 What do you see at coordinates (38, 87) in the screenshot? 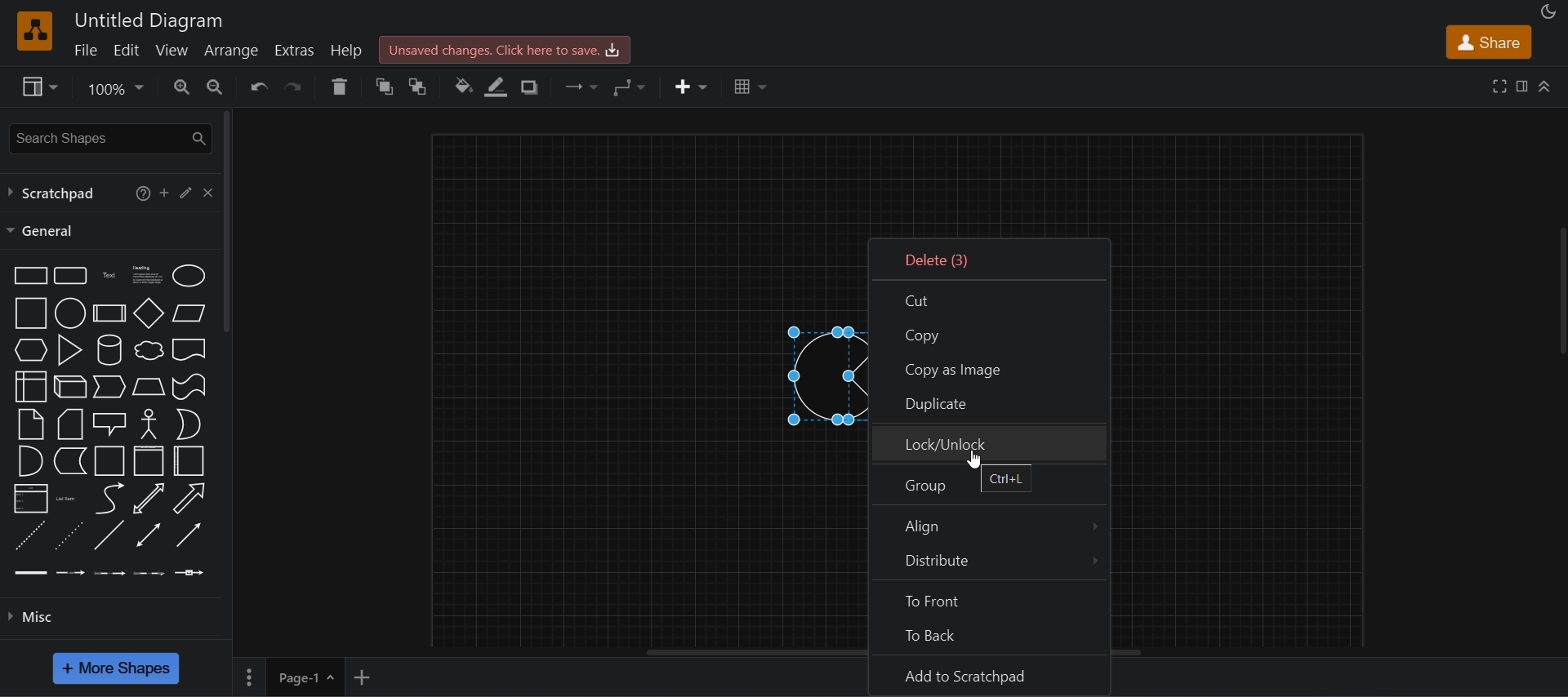
I see `view` at bounding box center [38, 87].